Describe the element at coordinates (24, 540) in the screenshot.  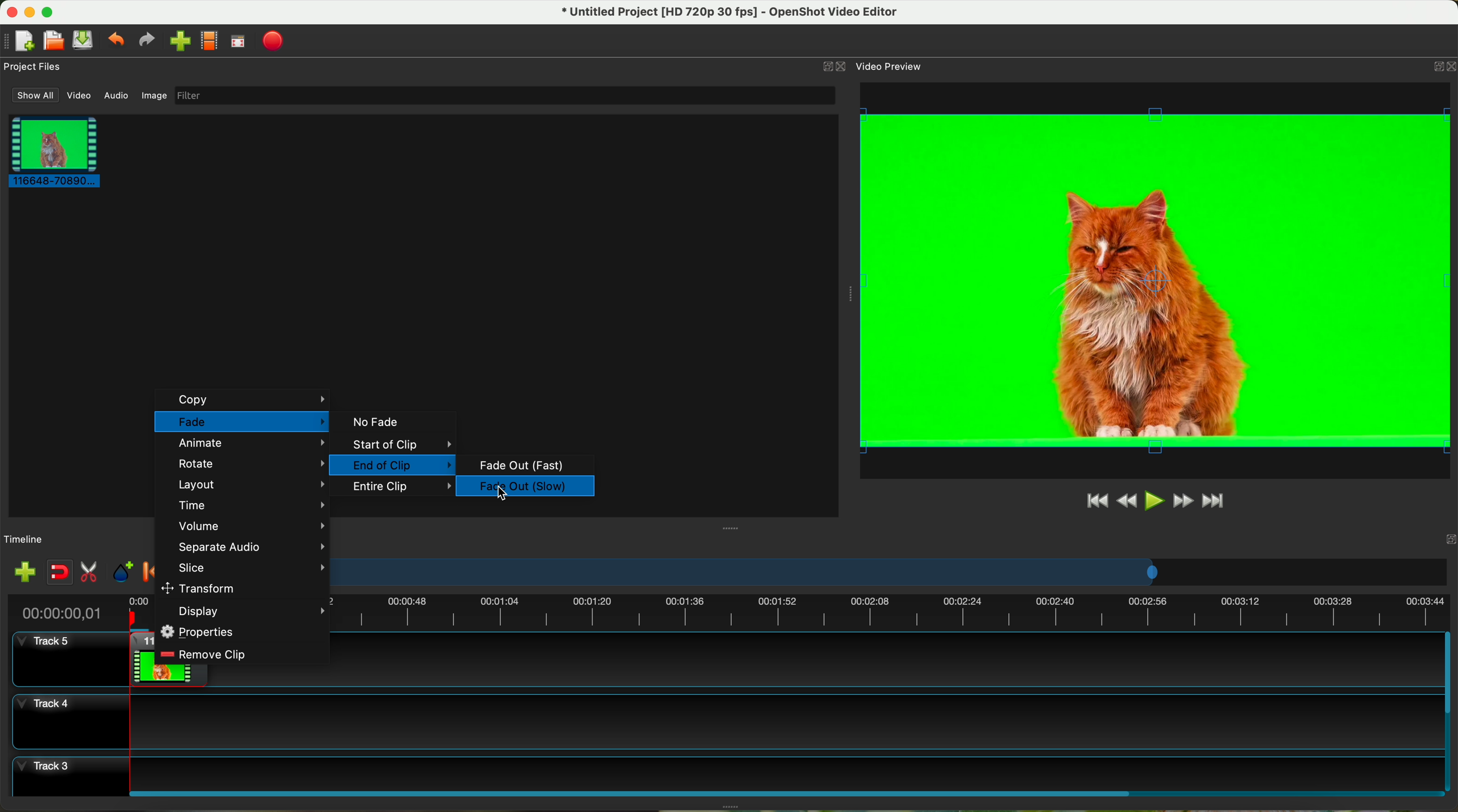
I see `timeline` at that location.